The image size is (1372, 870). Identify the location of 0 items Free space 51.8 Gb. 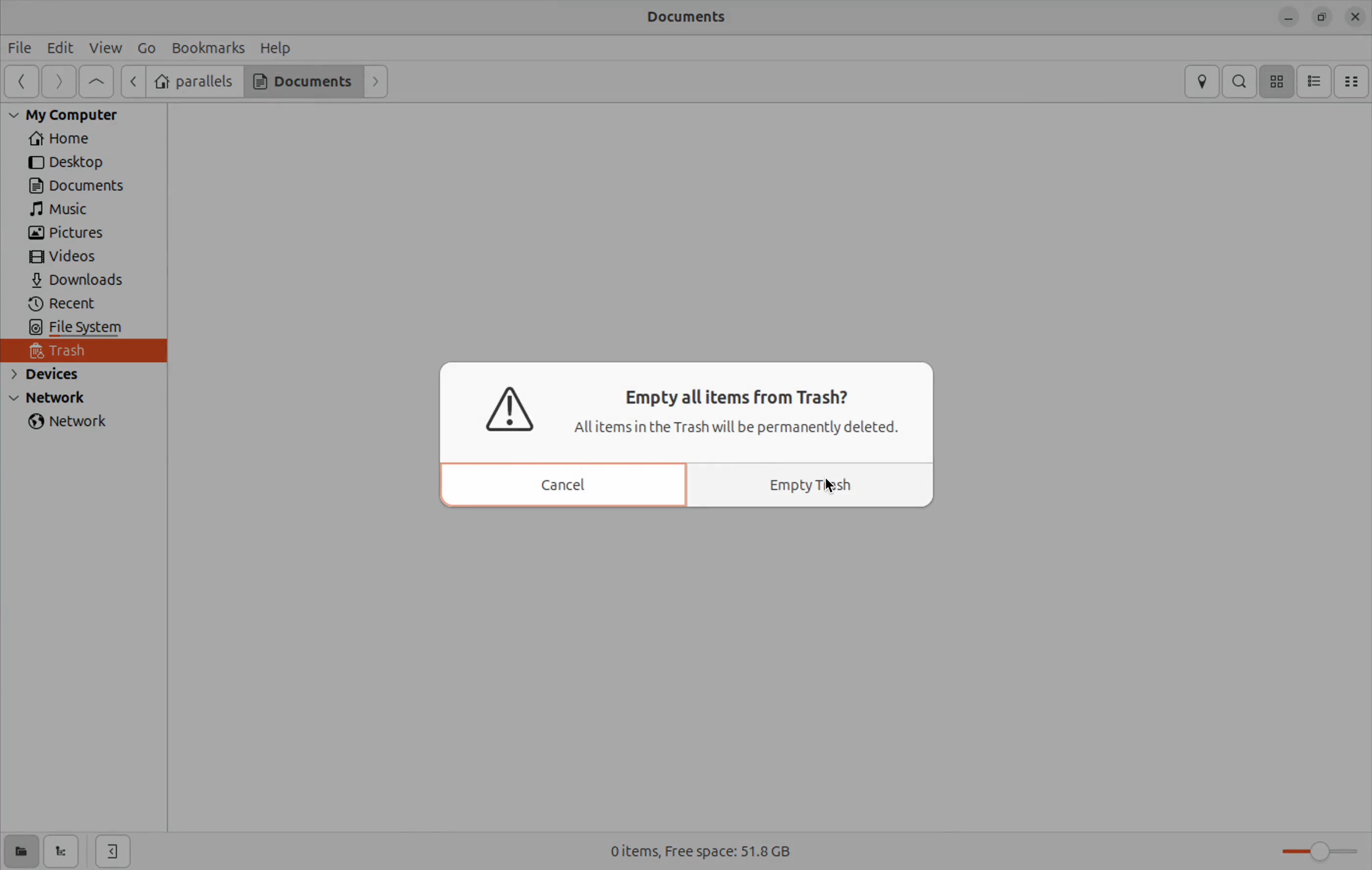
(702, 851).